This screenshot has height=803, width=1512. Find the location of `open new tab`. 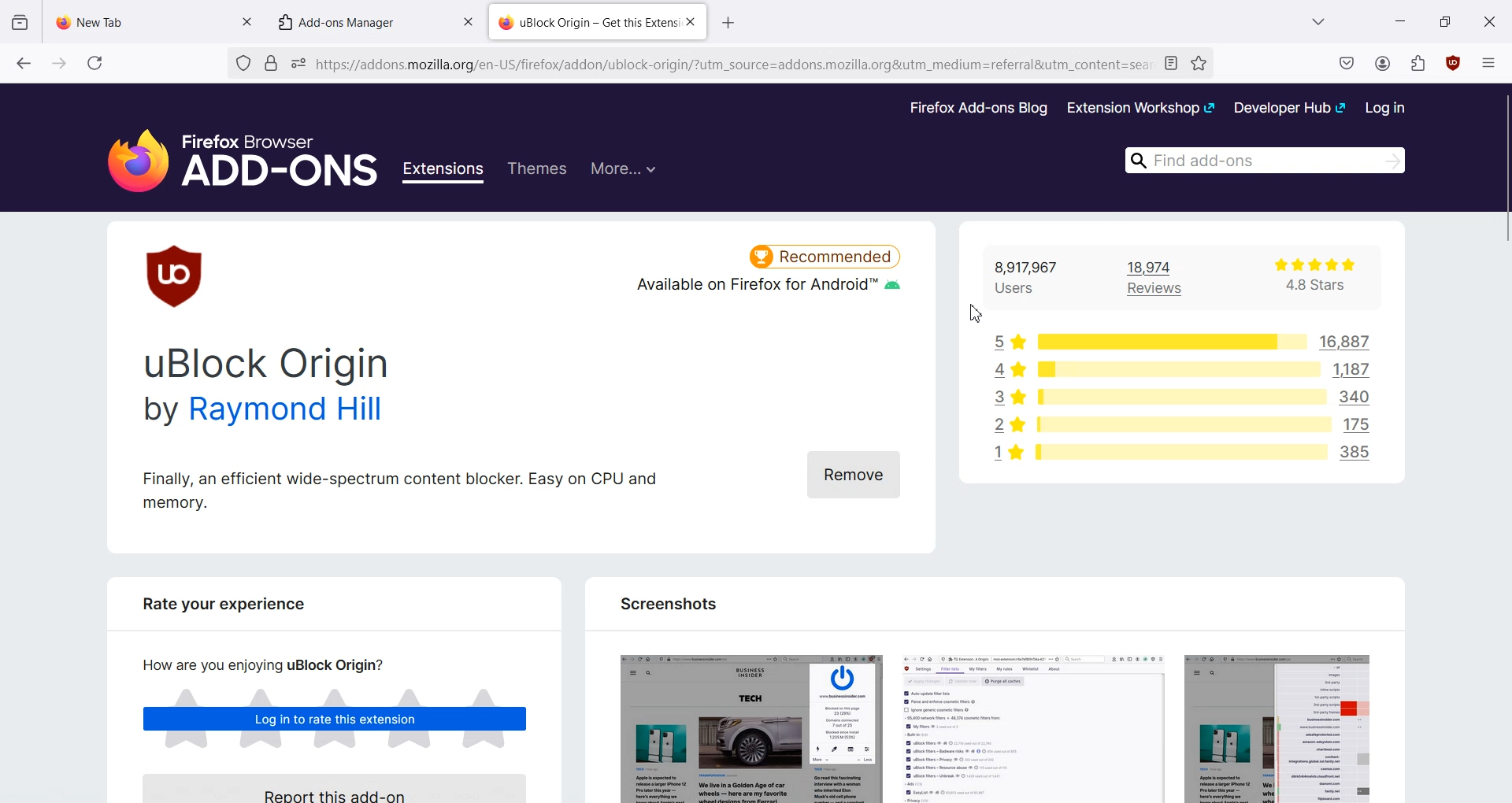

open new tab is located at coordinates (732, 20).